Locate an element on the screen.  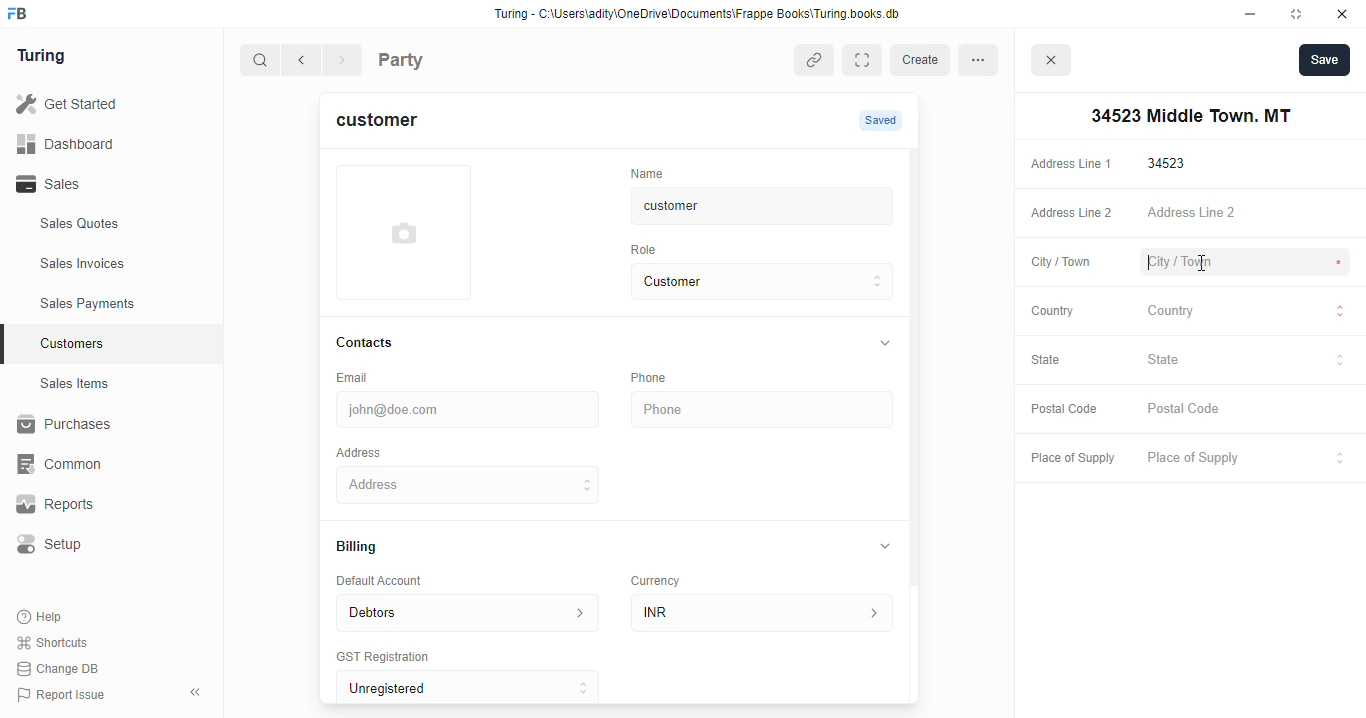
Saved is located at coordinates (883, 120).